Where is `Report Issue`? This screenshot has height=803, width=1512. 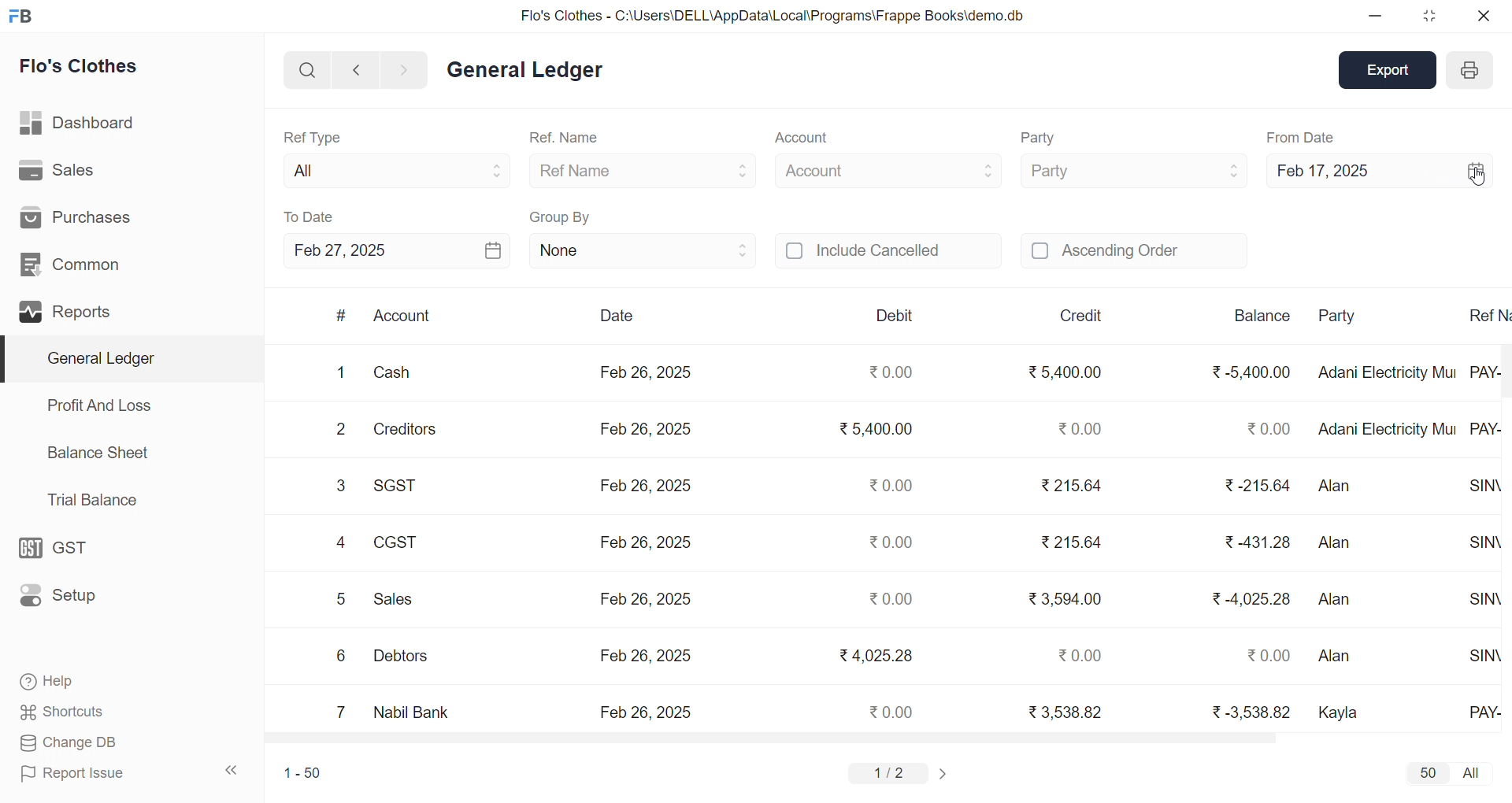 Report Issue is located at coordinates (74, 774).